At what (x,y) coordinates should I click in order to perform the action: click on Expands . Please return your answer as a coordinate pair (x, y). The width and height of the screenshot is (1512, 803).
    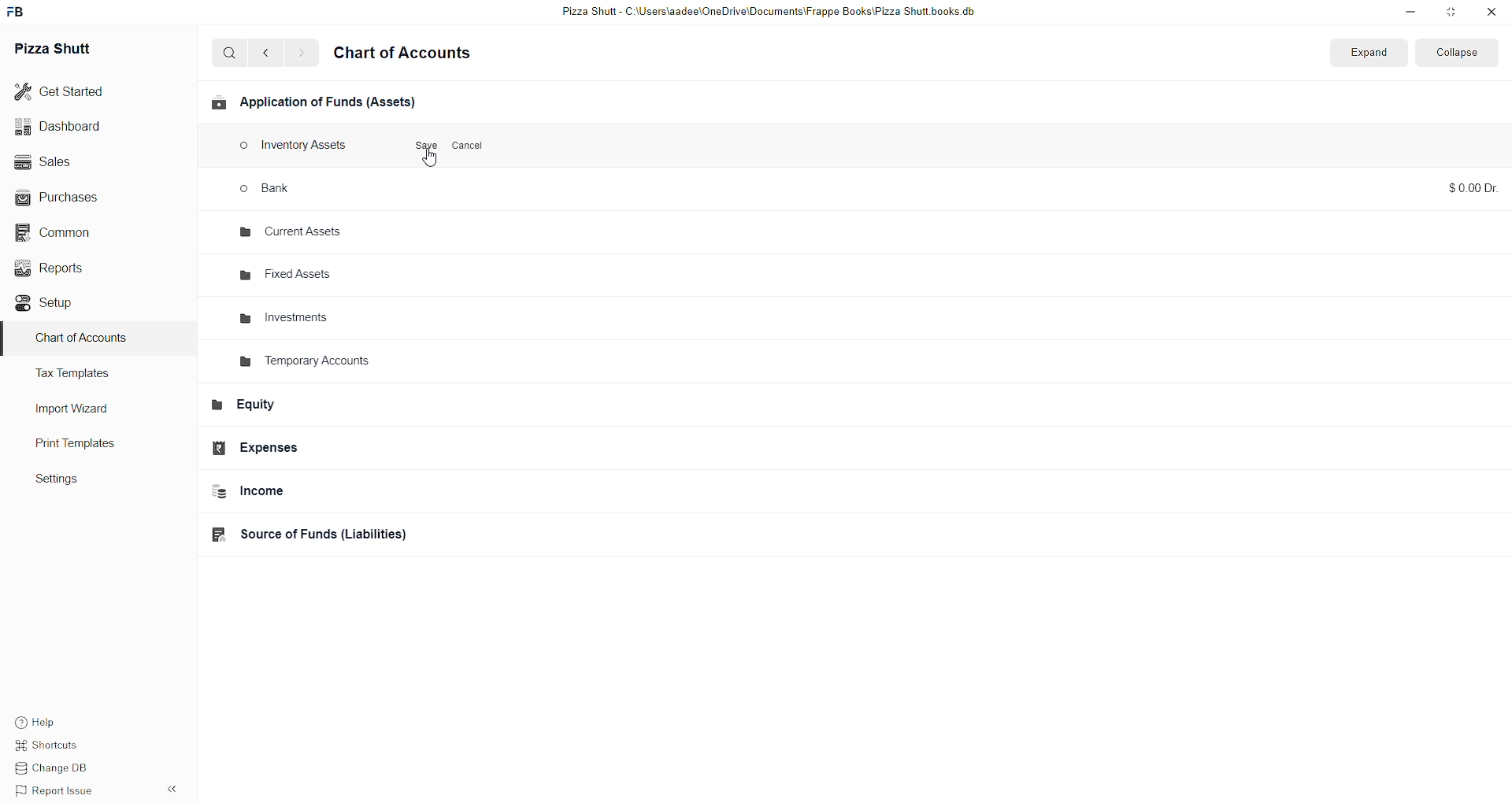
    Looking at the image, I should click on (1373, 55).